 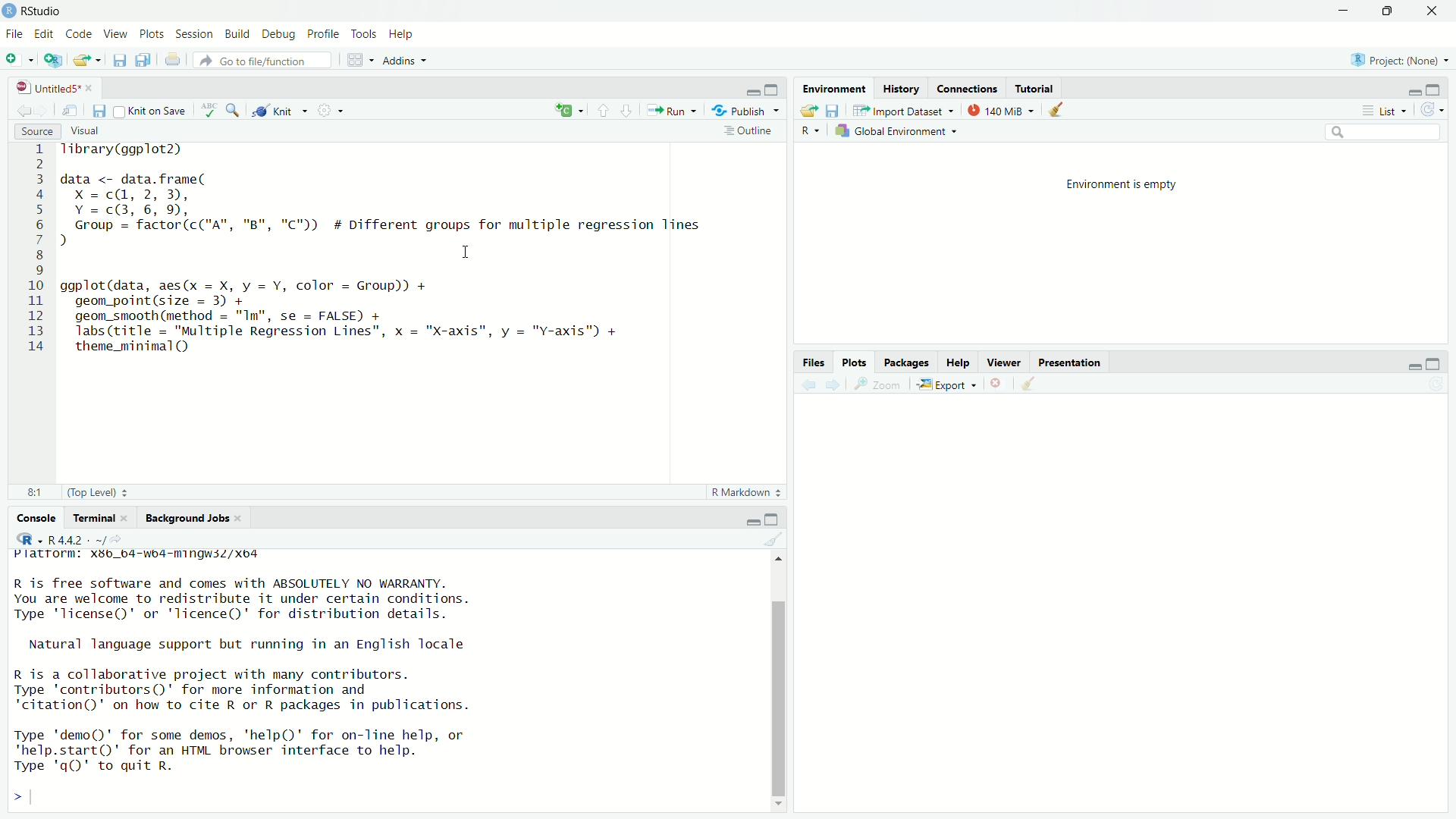 I want to click on Publish ~, so click(x=746, y=111).